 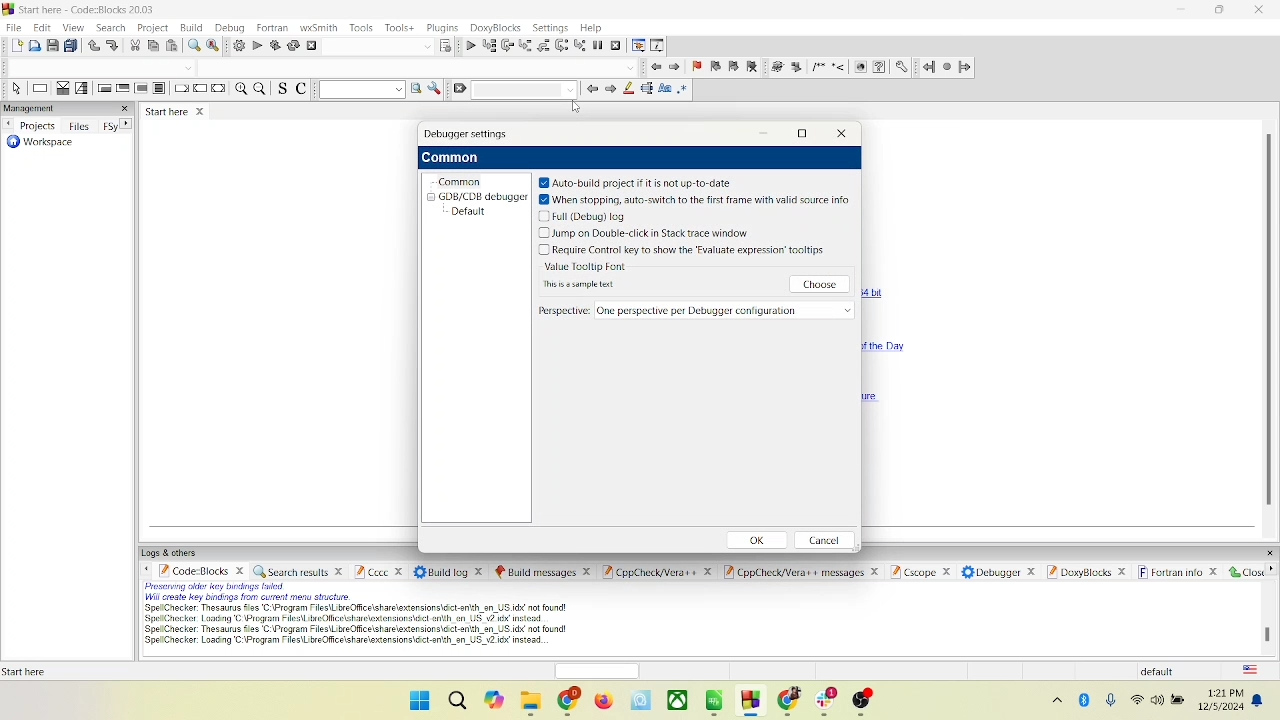 What do you see at coordinates (72, 46) in the screenshot?
I see `save everything` at bounding box center [72, 46].